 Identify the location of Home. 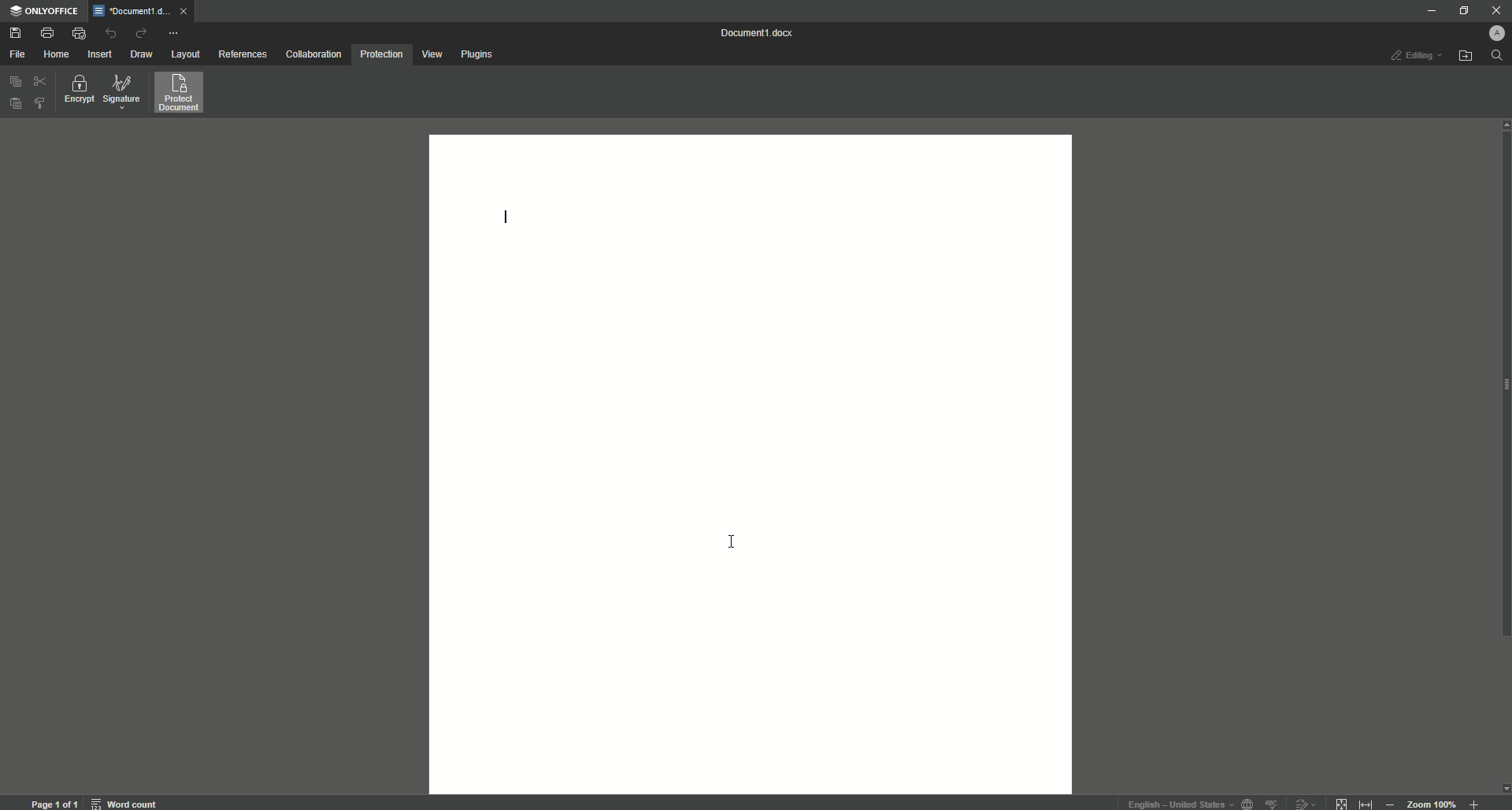
(57, 53).